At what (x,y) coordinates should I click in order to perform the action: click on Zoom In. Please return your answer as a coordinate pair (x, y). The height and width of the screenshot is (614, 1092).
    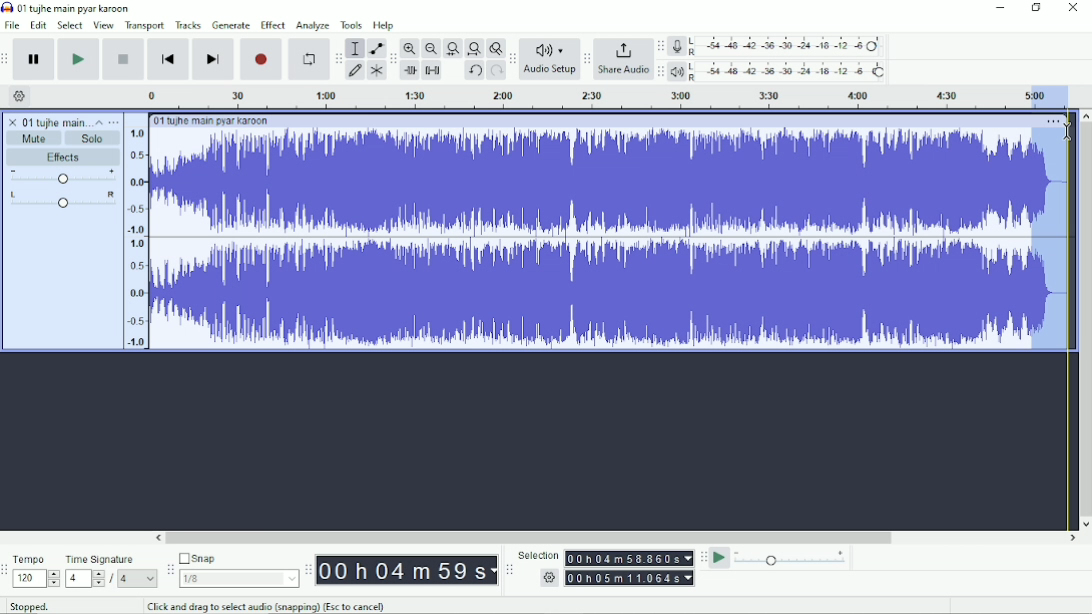
    Looking at the image, I should click on (409, 48).